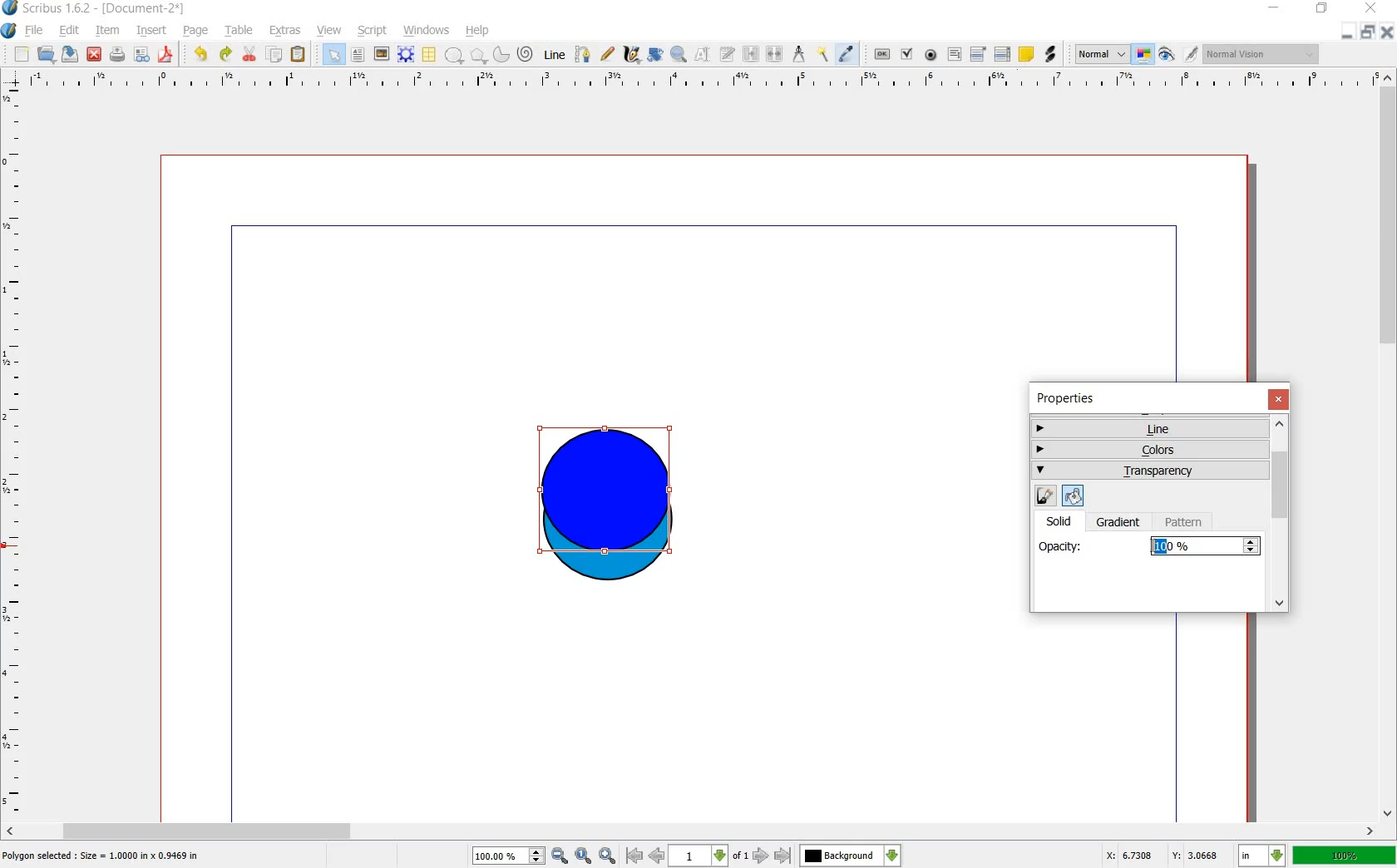  What do you see at coordinates (955, 53) in the screenshot?
I see `pdf text fied` at bounding box center [955, 53].